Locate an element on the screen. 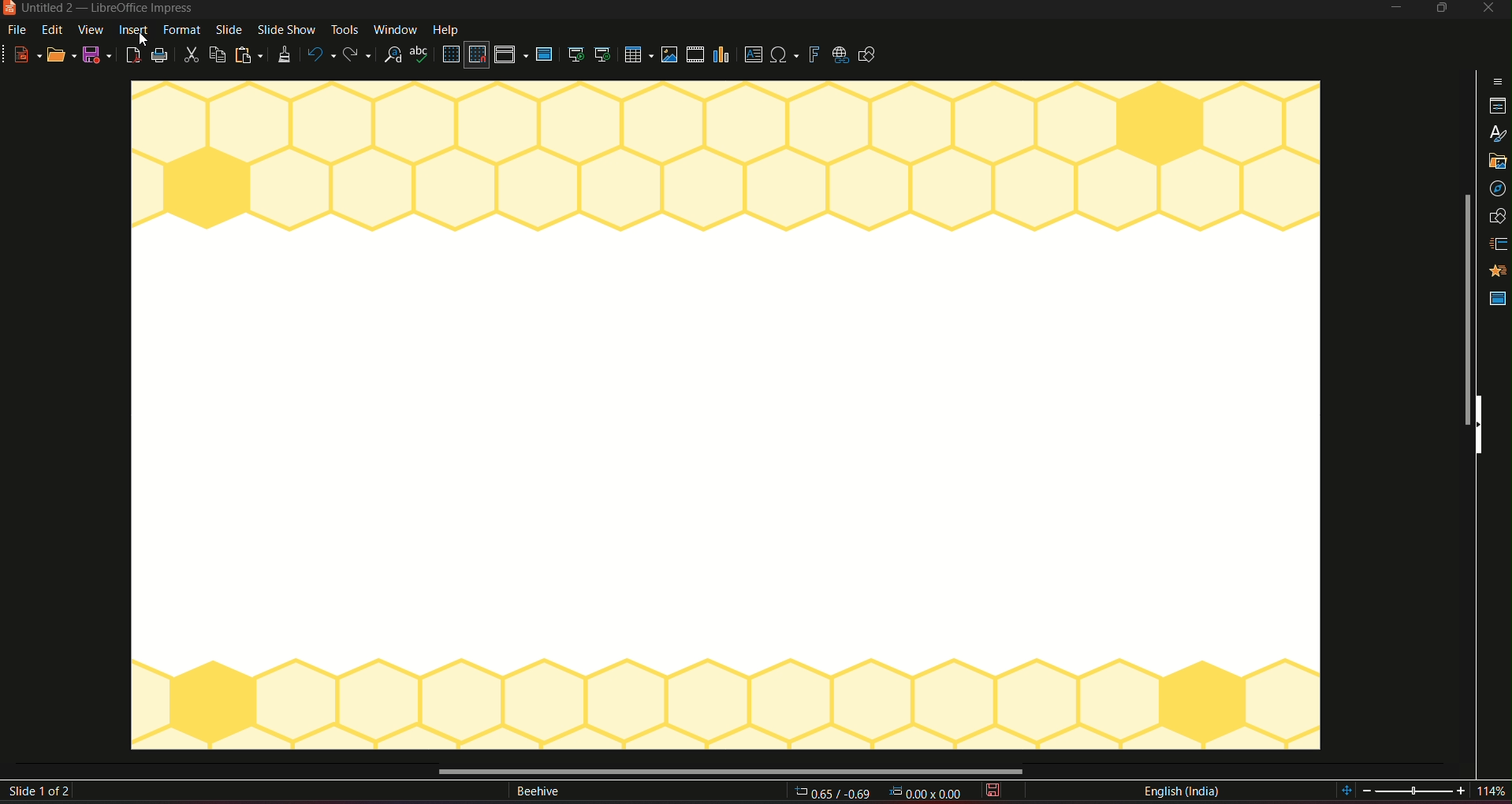  animation is located at coordinates (1499, 271).